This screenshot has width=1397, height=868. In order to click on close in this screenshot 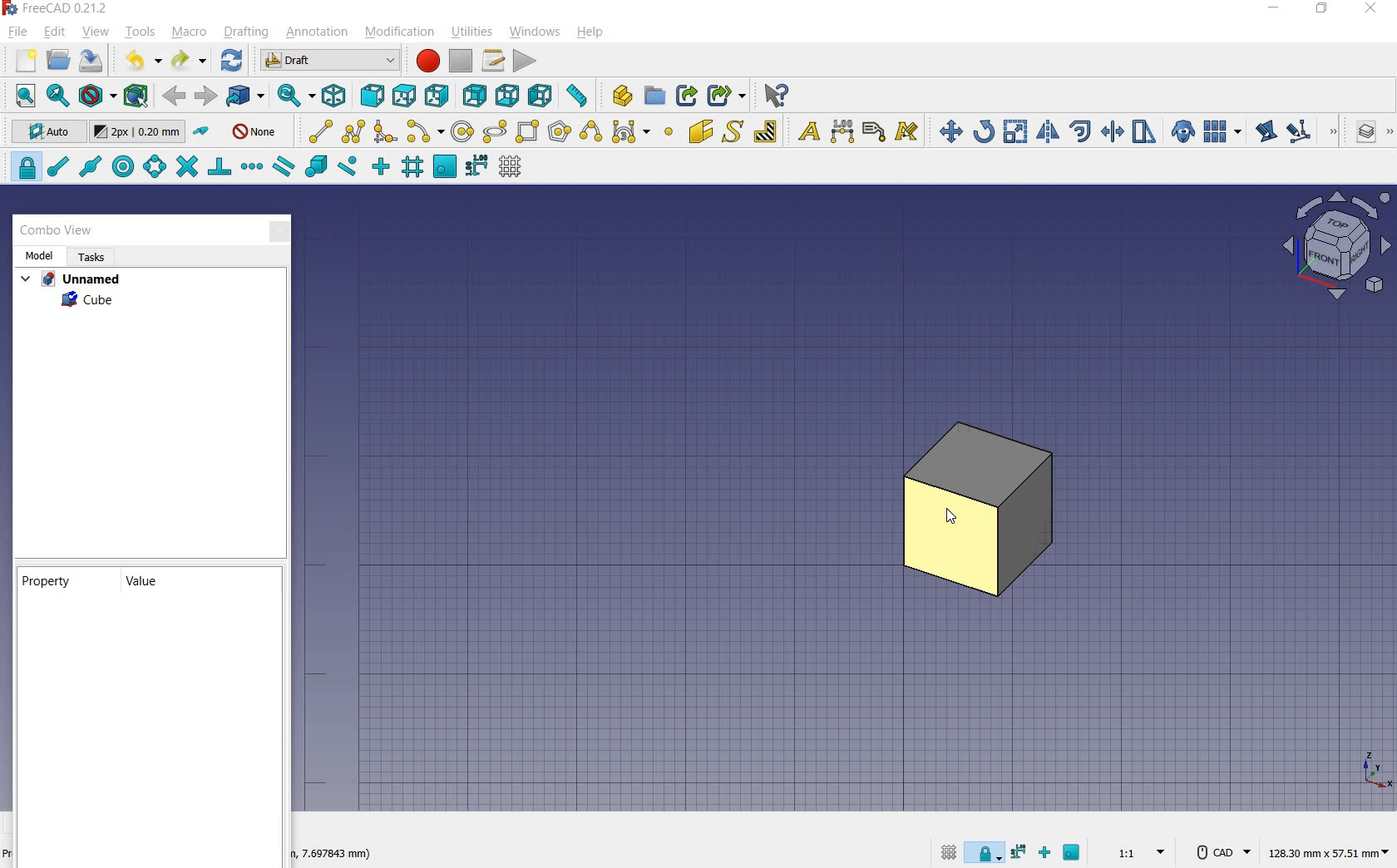, I will do `click(1369, 10)`.